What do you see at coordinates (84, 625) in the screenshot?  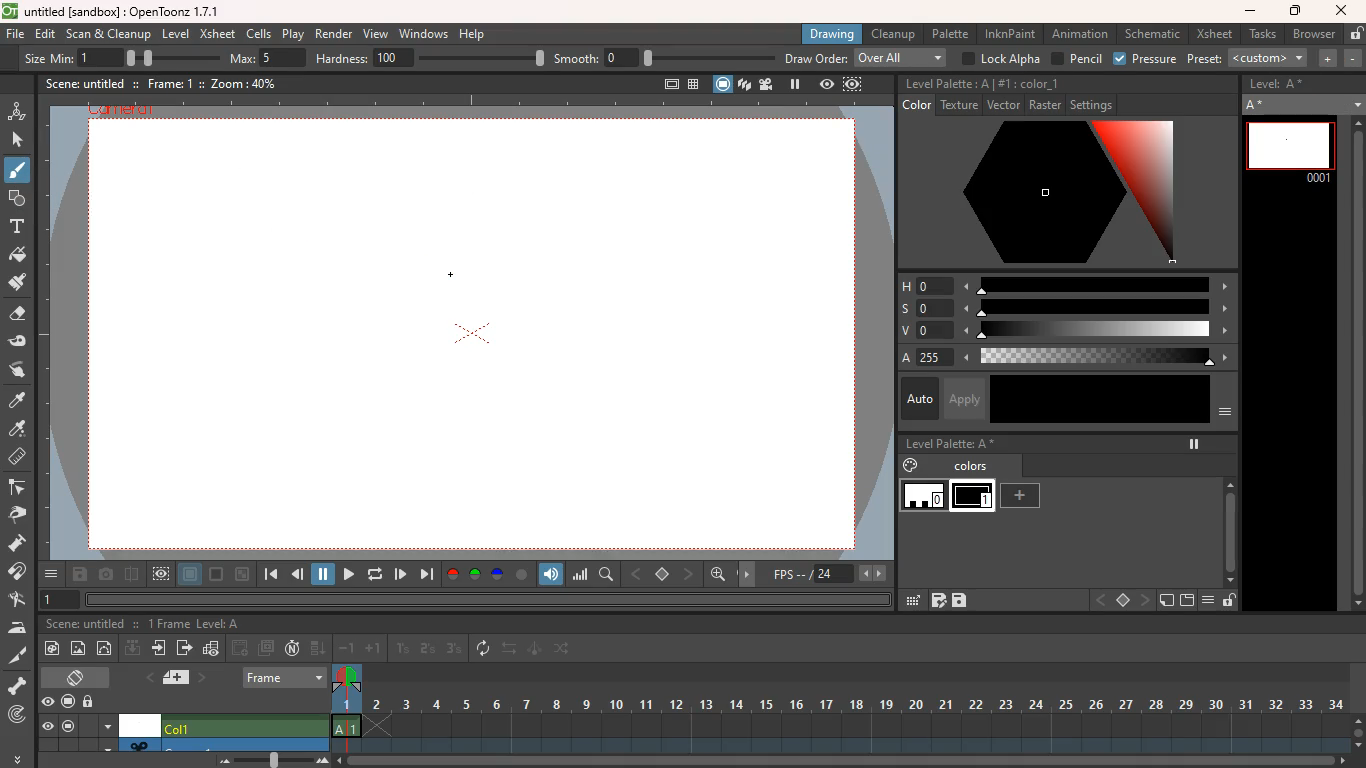 I see `scene: untitled` at bounding box center [84, 625].